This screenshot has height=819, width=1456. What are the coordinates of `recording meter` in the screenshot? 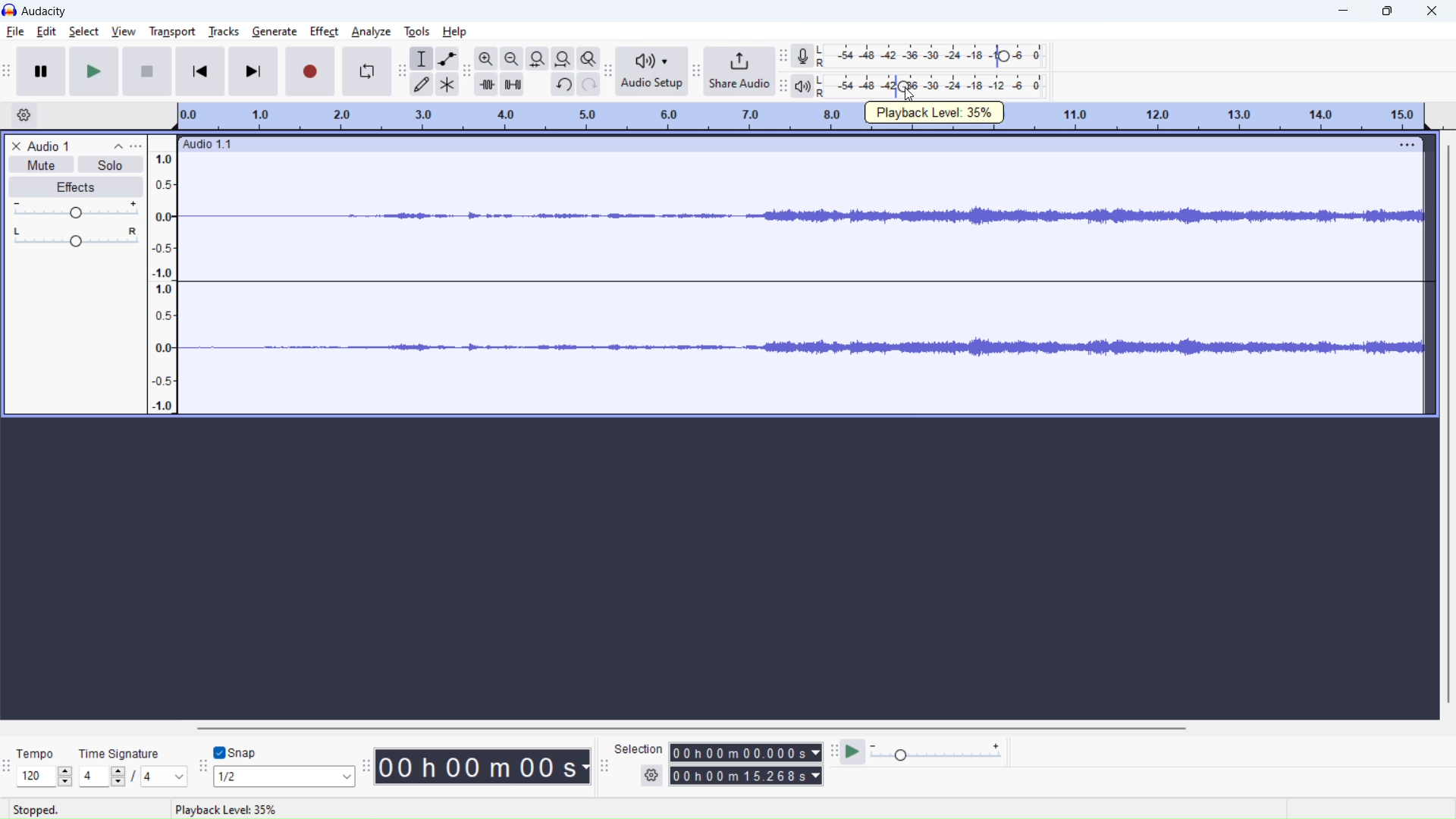 It's located at (803, 56).